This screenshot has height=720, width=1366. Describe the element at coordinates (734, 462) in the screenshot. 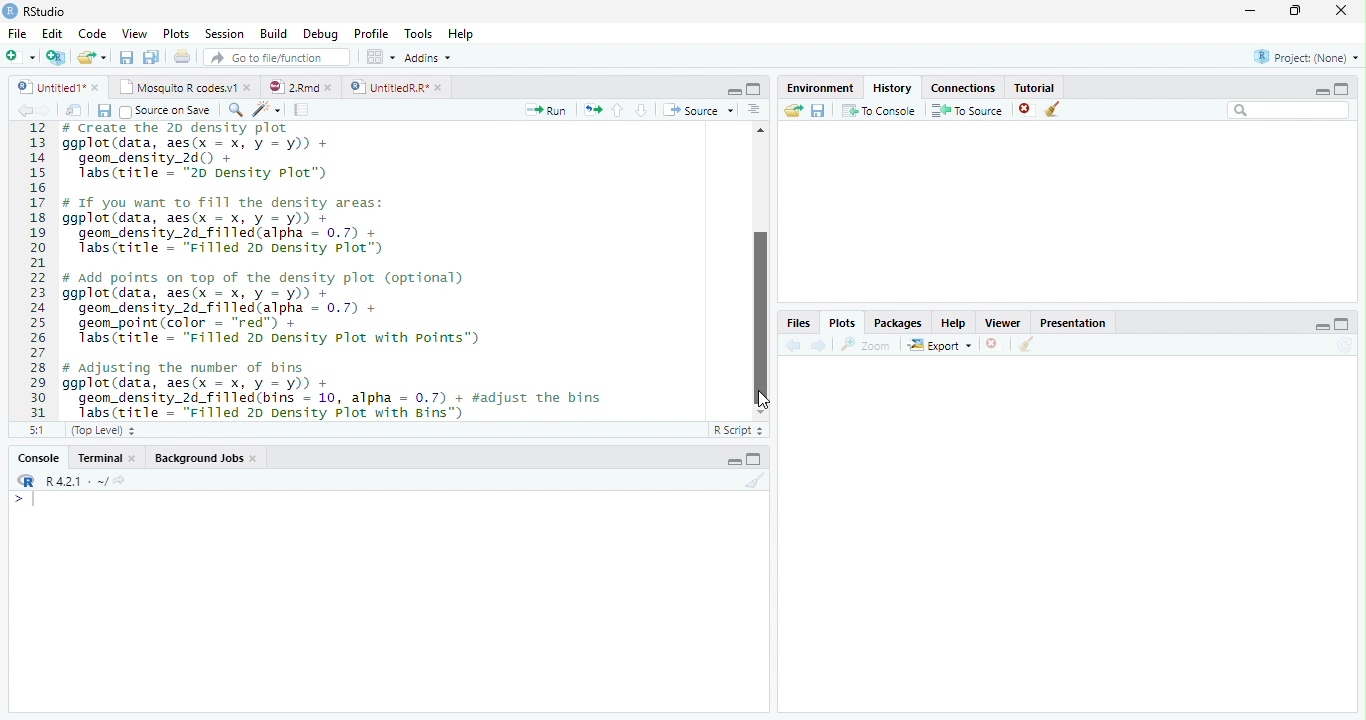

I see `minimize` at that location.